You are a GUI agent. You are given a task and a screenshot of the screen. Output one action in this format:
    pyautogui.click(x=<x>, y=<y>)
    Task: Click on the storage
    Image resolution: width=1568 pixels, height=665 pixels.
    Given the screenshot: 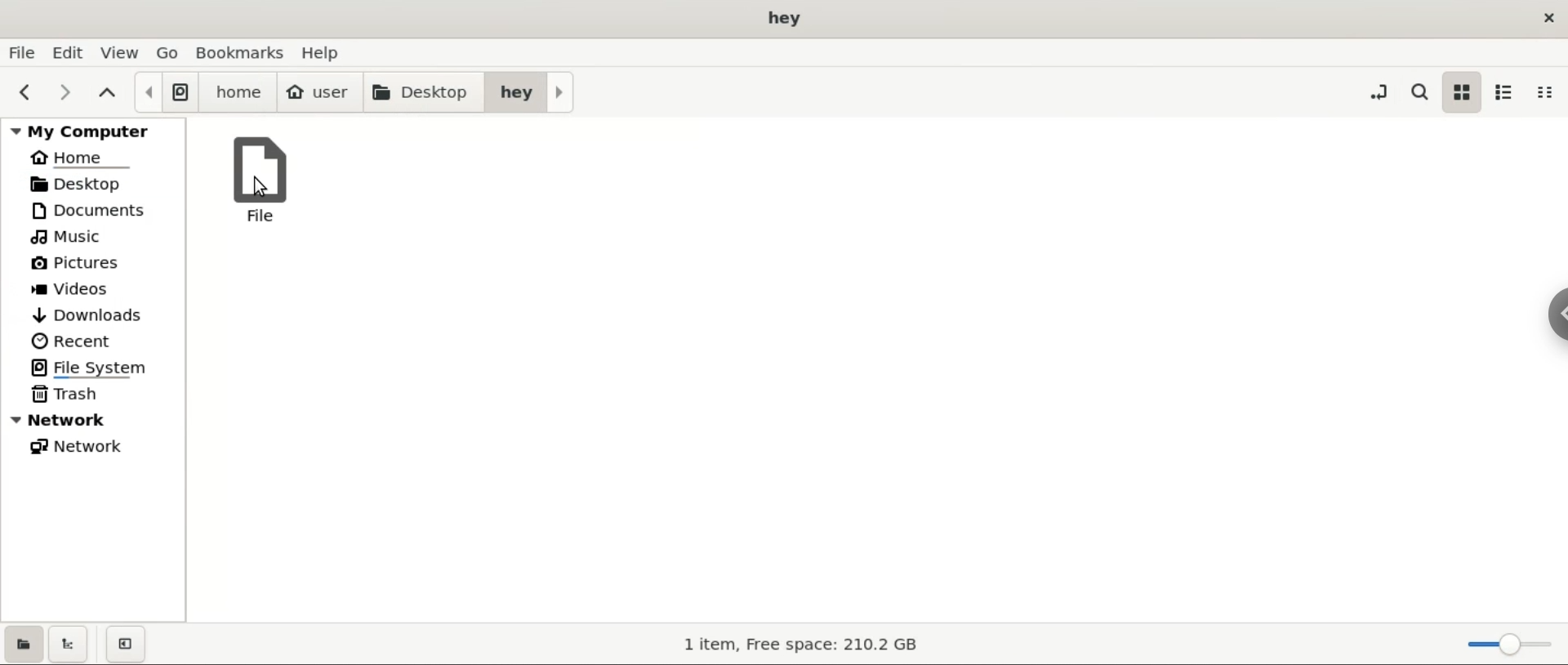 What is the action you would take?
    pyautogui.click(x=800, y=645)
    